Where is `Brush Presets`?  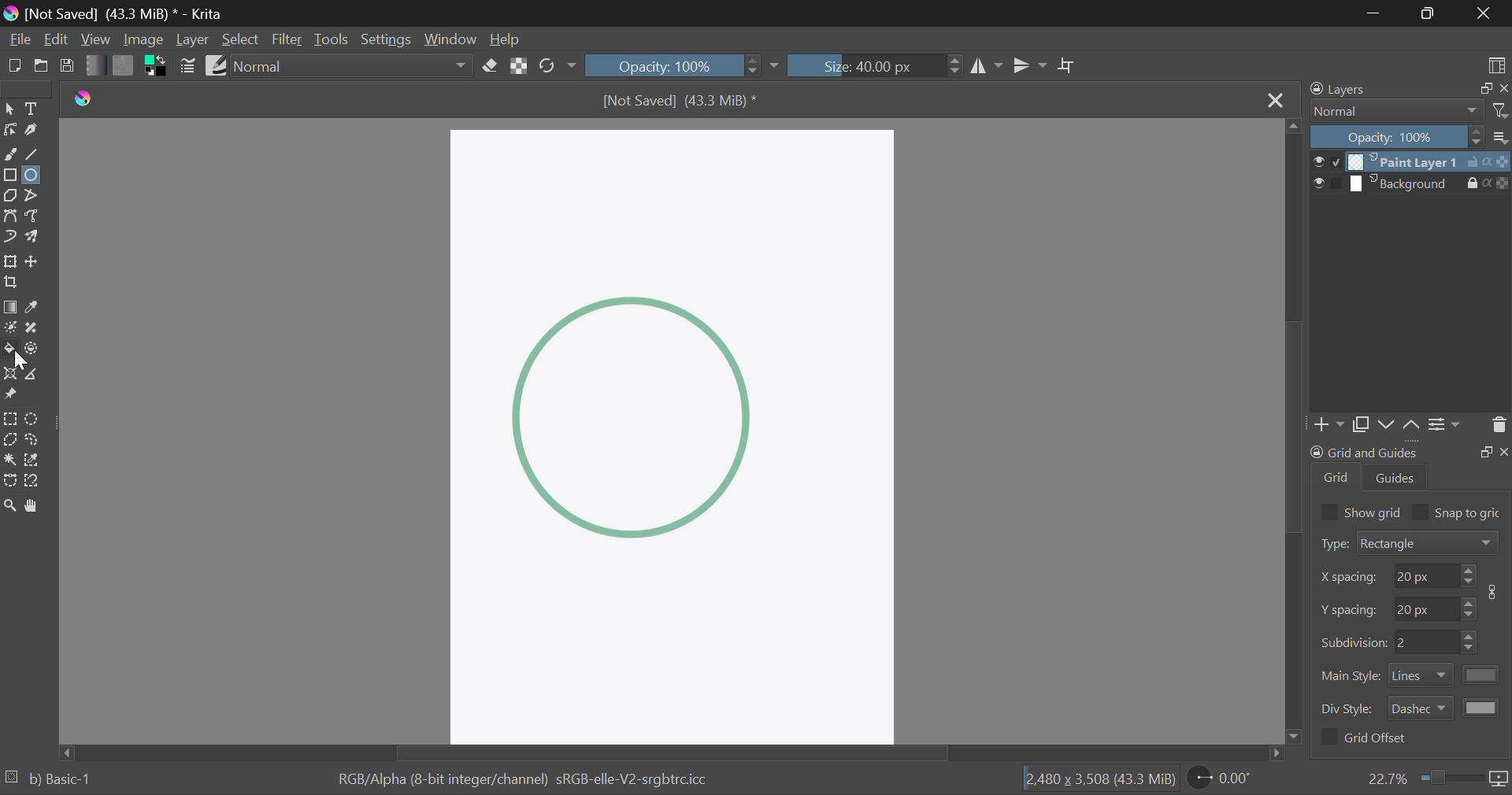 Brush Presets is located at coordinates (217, 65).